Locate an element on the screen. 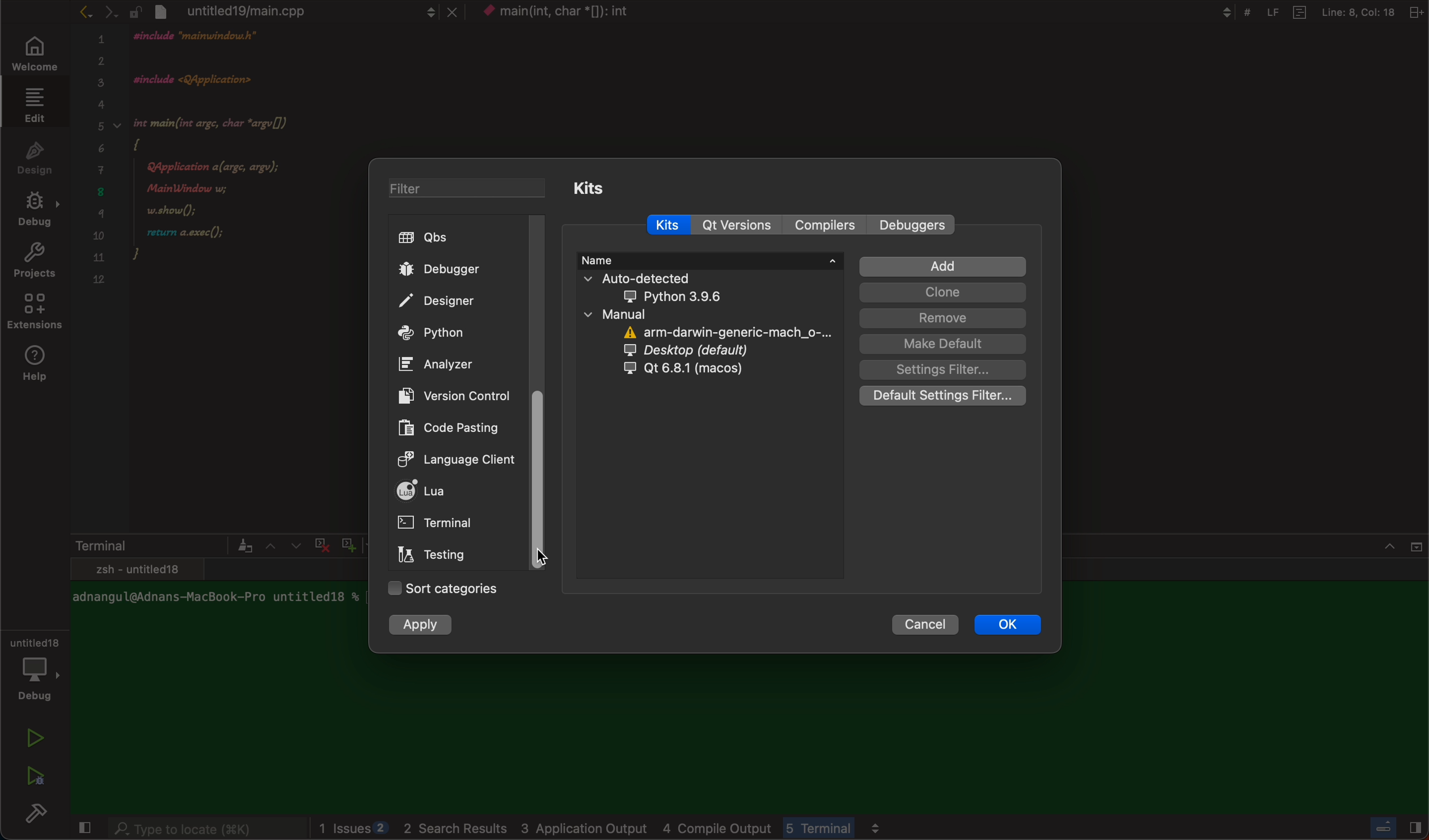 The height and width of the screenshot is (840, 1429). make default  is located at coordinates (942, 344).